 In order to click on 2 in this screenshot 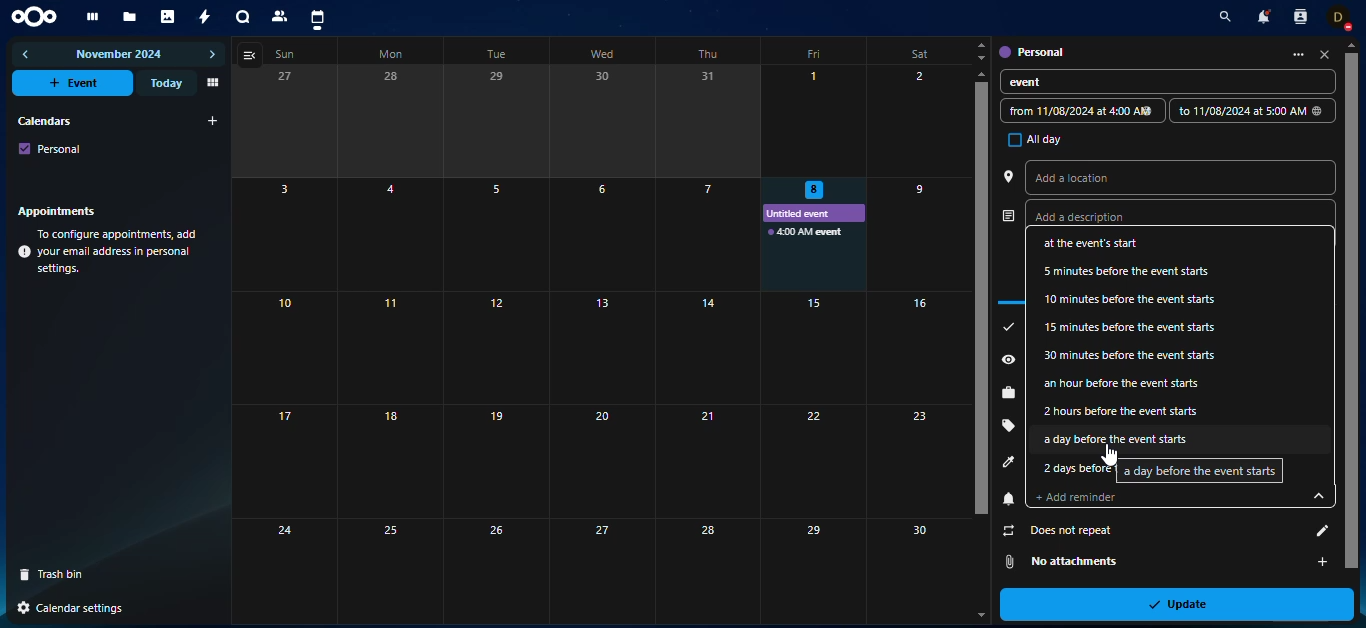, I will do `click(918, 121)`.